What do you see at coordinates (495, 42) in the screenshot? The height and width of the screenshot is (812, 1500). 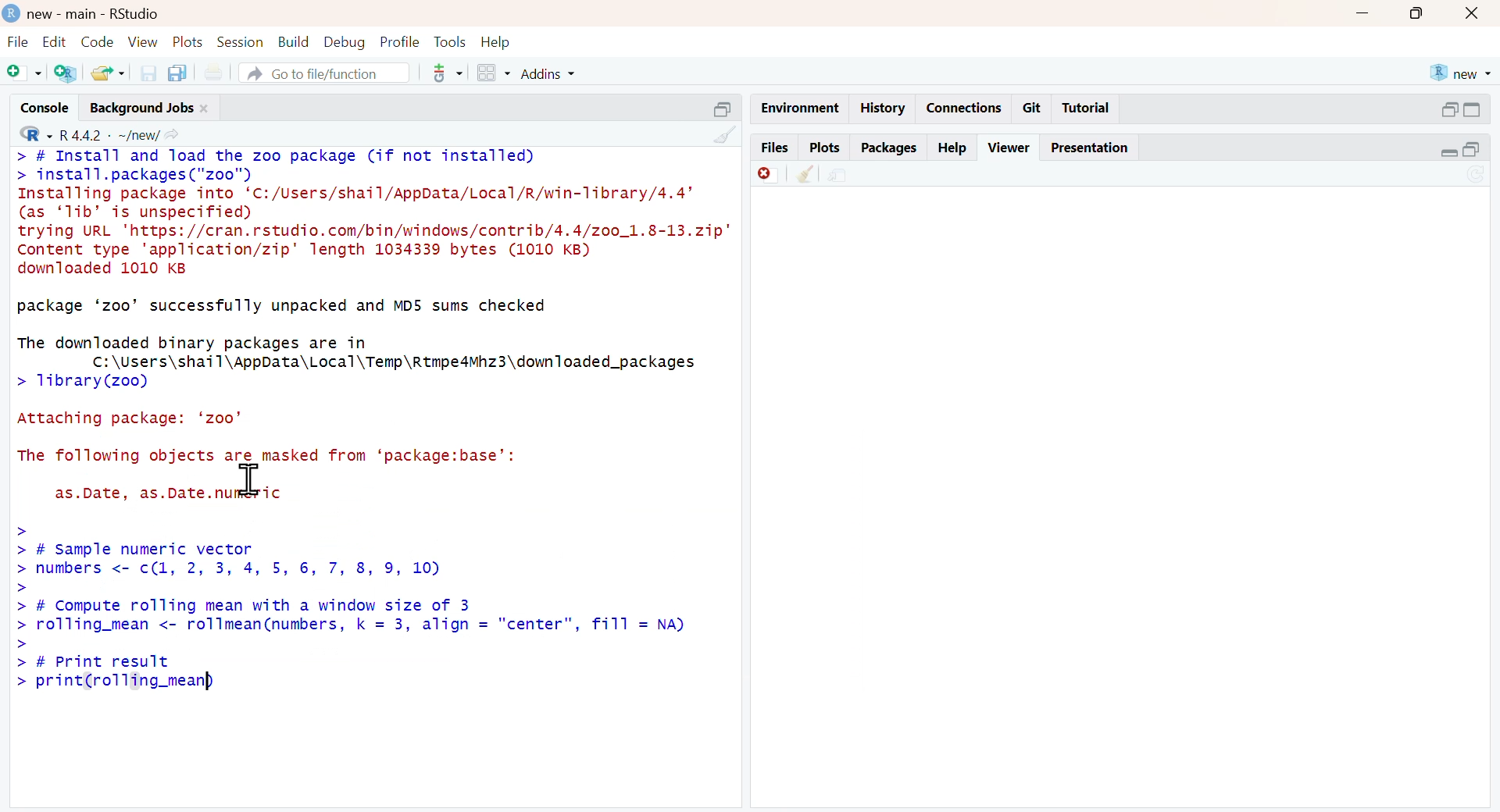 I see `help` at bounding box center [495, 42].